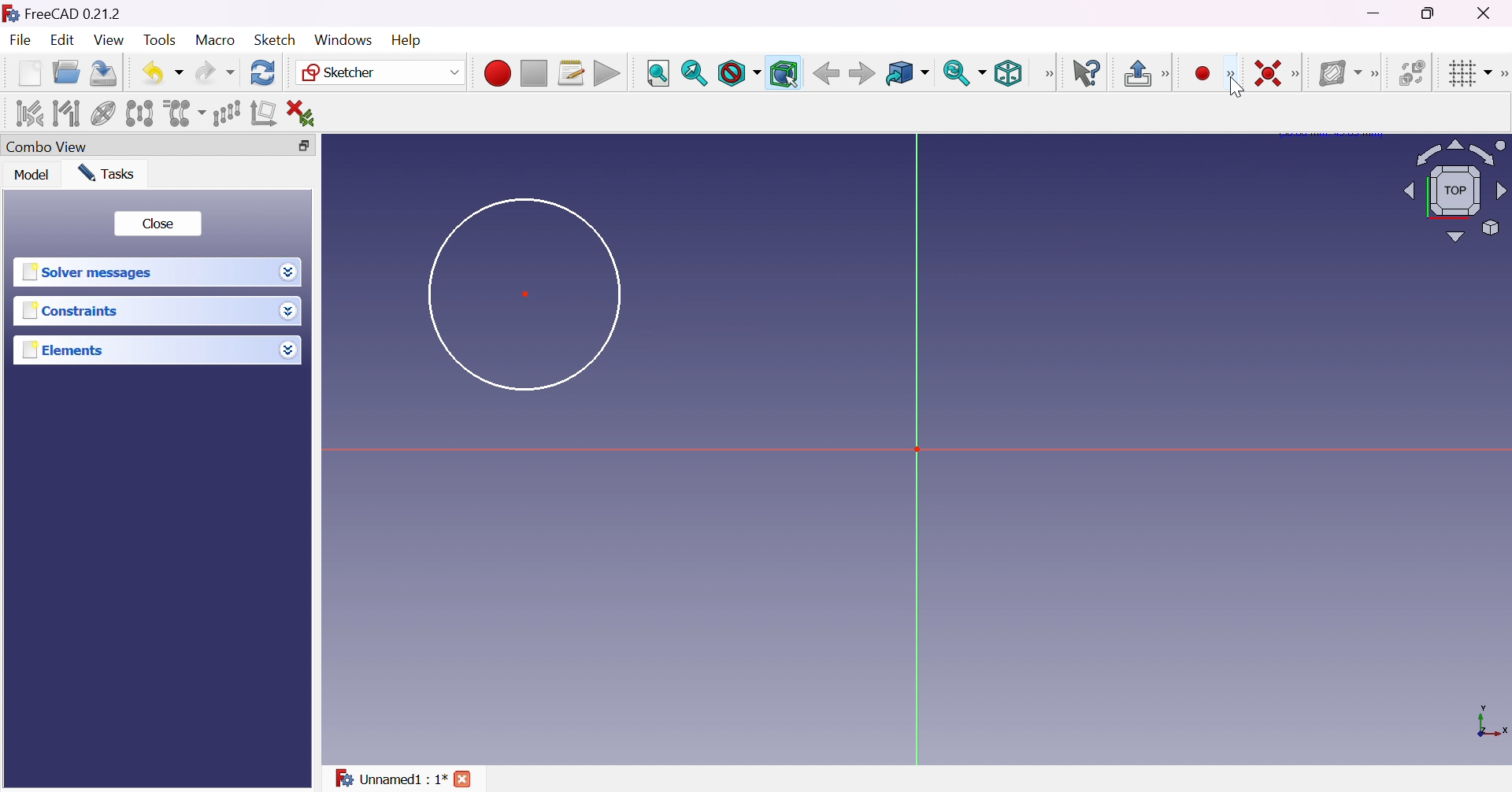 This screenshot has height=792, width=1512. What do you see at coordinates (1230, 75) in the screenshot?
I see `Sketcher geometries` at bounding box center [1230, 75].